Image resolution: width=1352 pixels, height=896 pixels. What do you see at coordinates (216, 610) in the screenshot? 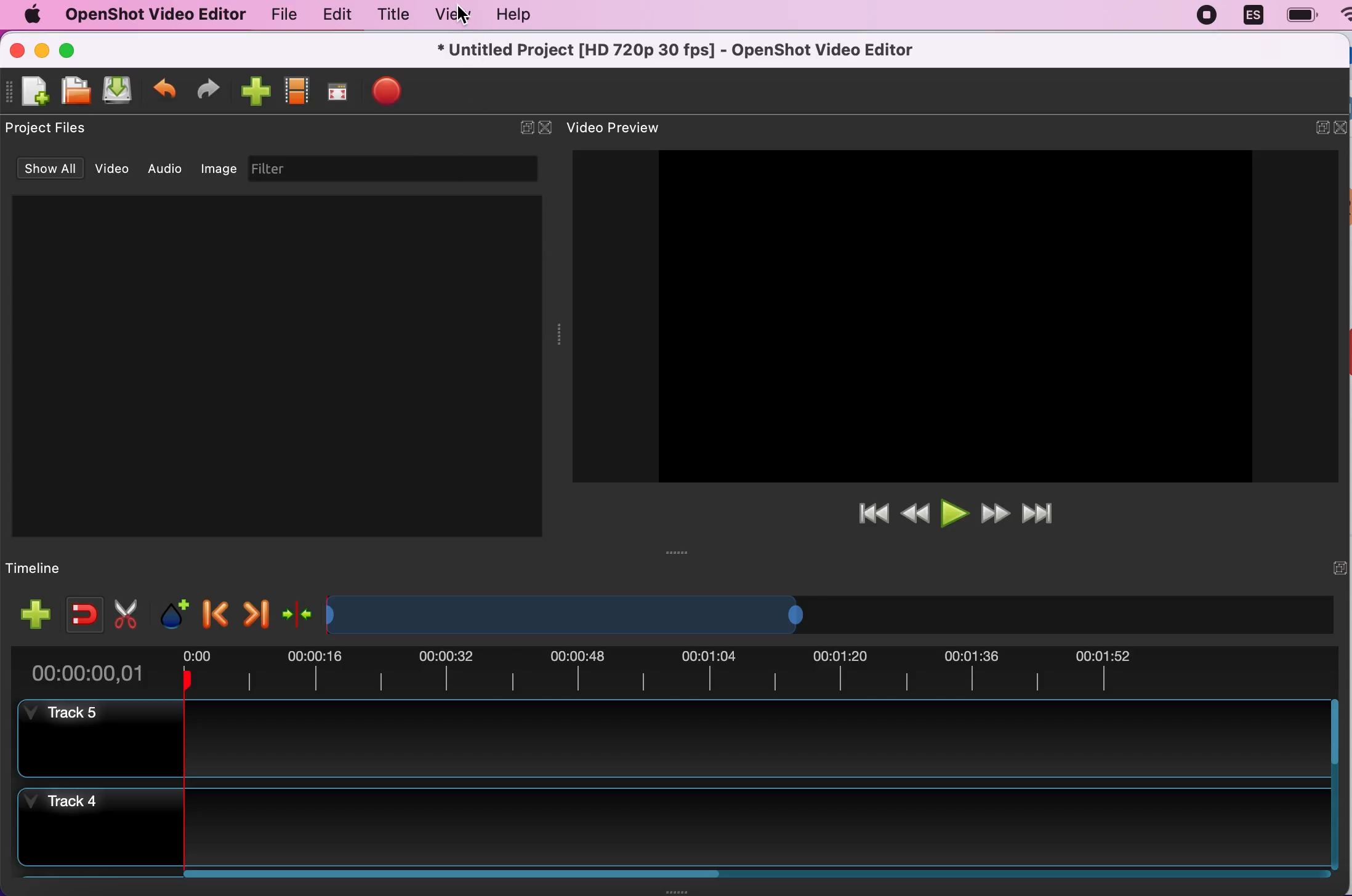
I see `previous marker` at bounding box center [216, 610].